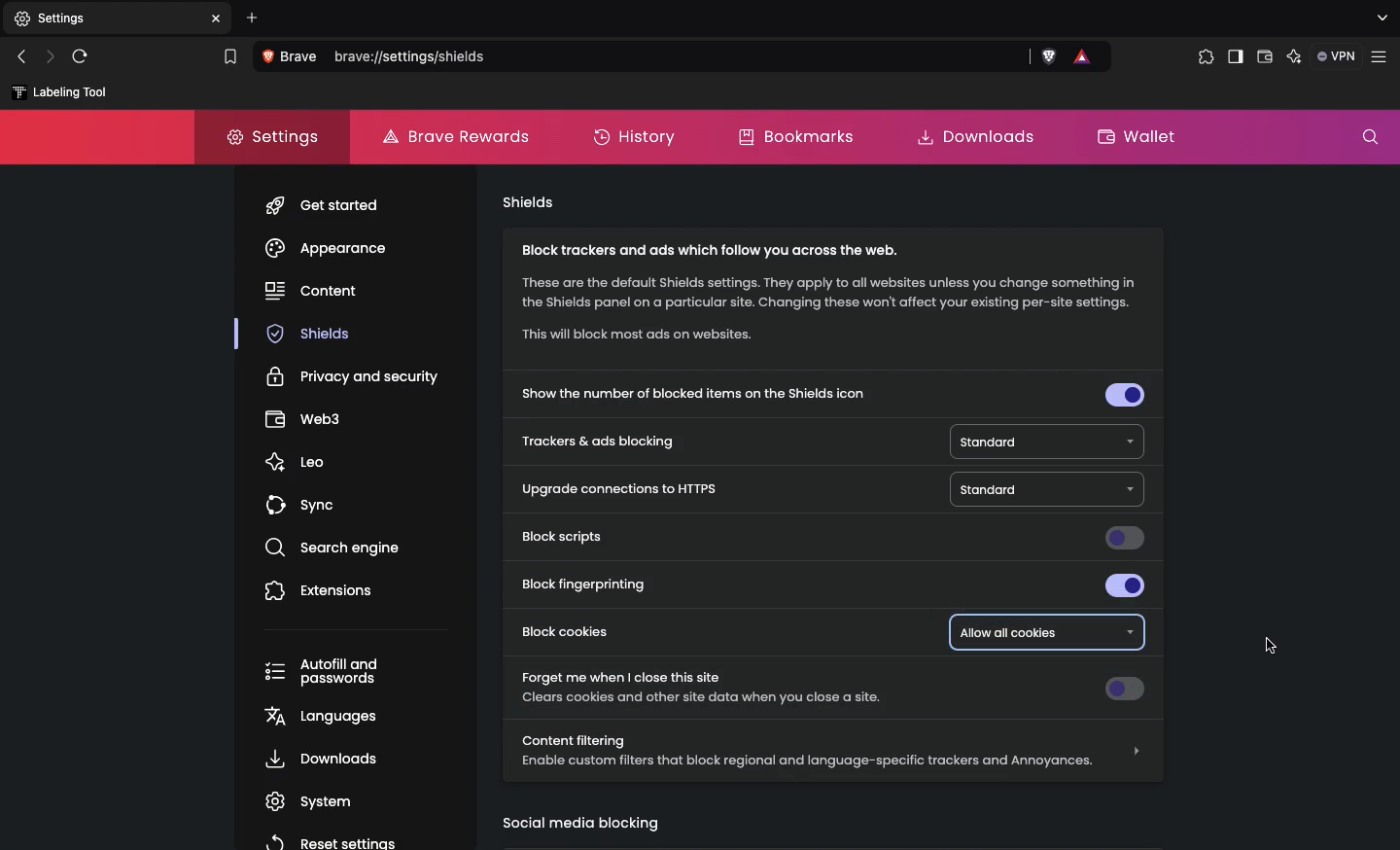 The image size is (1400, 850). I want to click on Sidebar, so click(1234, 58).